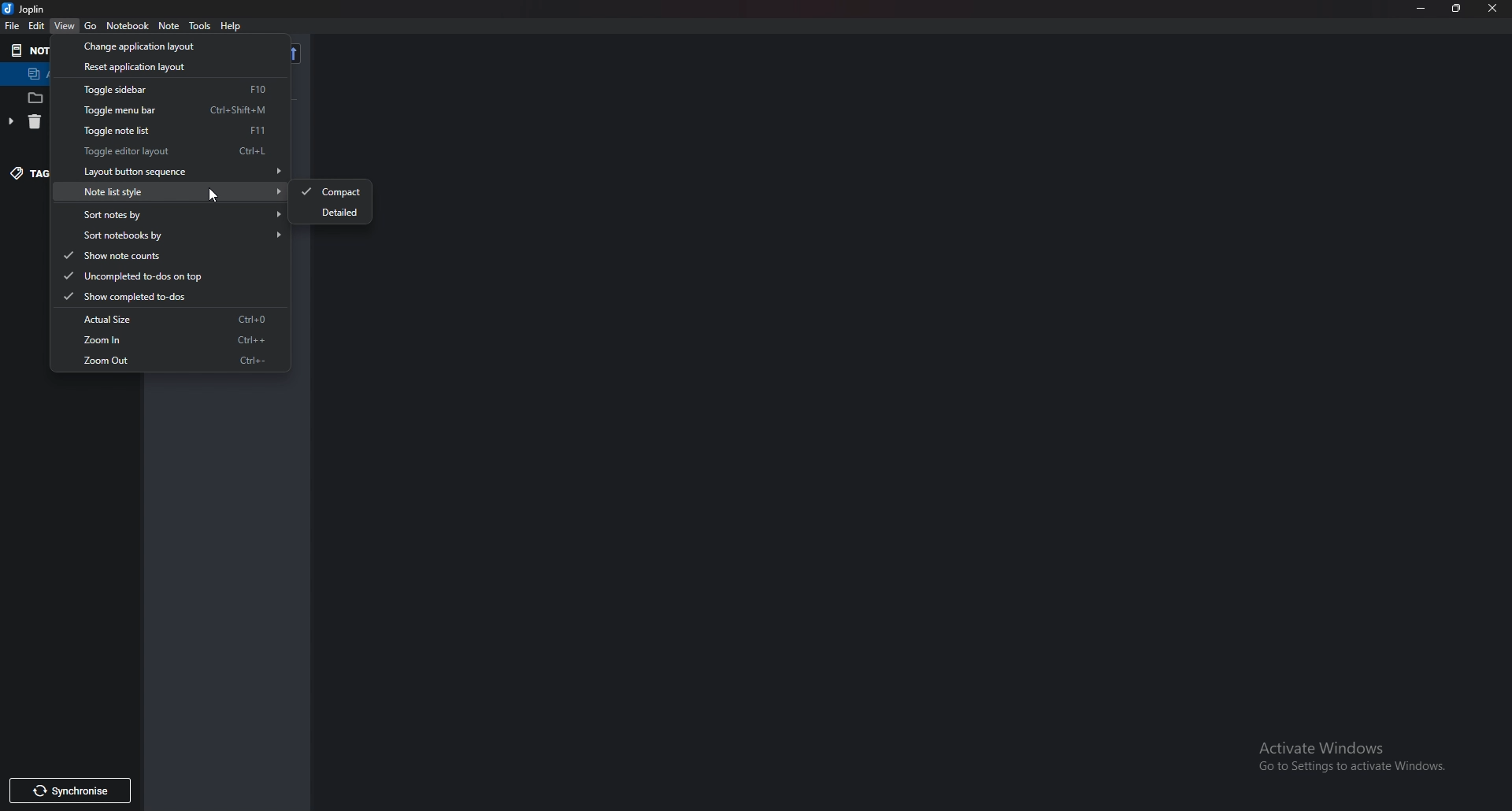  Describe the element at coordinates (1493, 9) in the screenshot. I see `close` at that location.